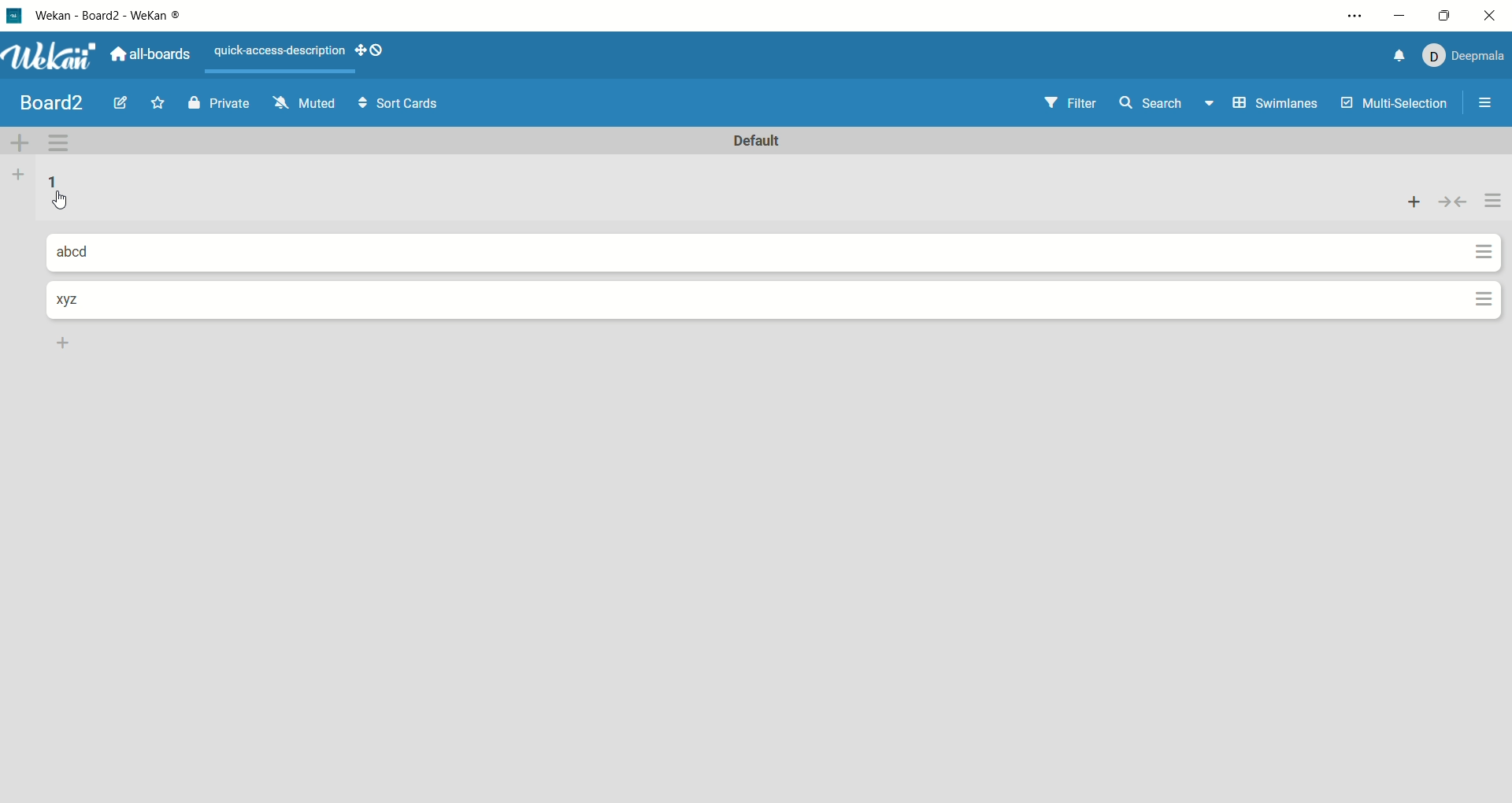 The width and height of the screenshot is (1512, 803). What do you see at coordinates (1417, 201) in the screenshot?
I see `add` at bounding box center [1417, 201].